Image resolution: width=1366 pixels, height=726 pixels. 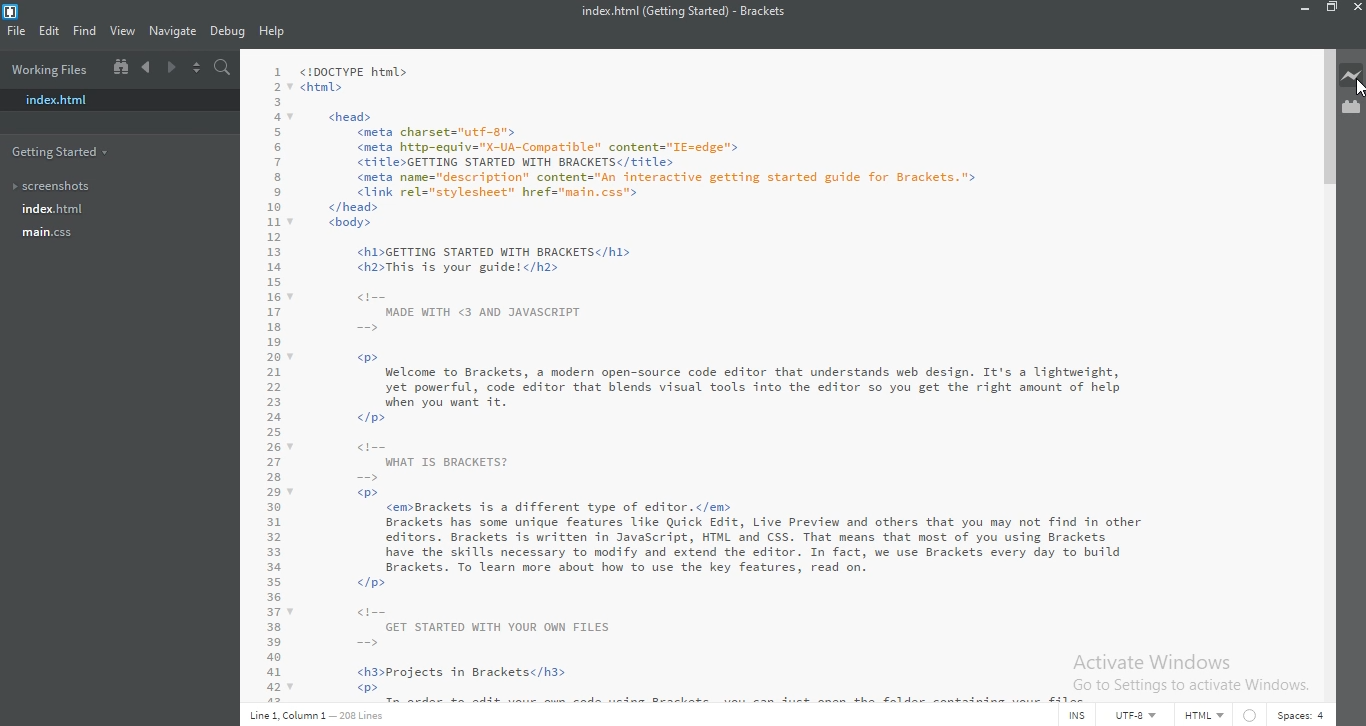 What do you see at coordinates (51, 70) in the screenshot?
I see `Working files` at bounding box center [51, 70].